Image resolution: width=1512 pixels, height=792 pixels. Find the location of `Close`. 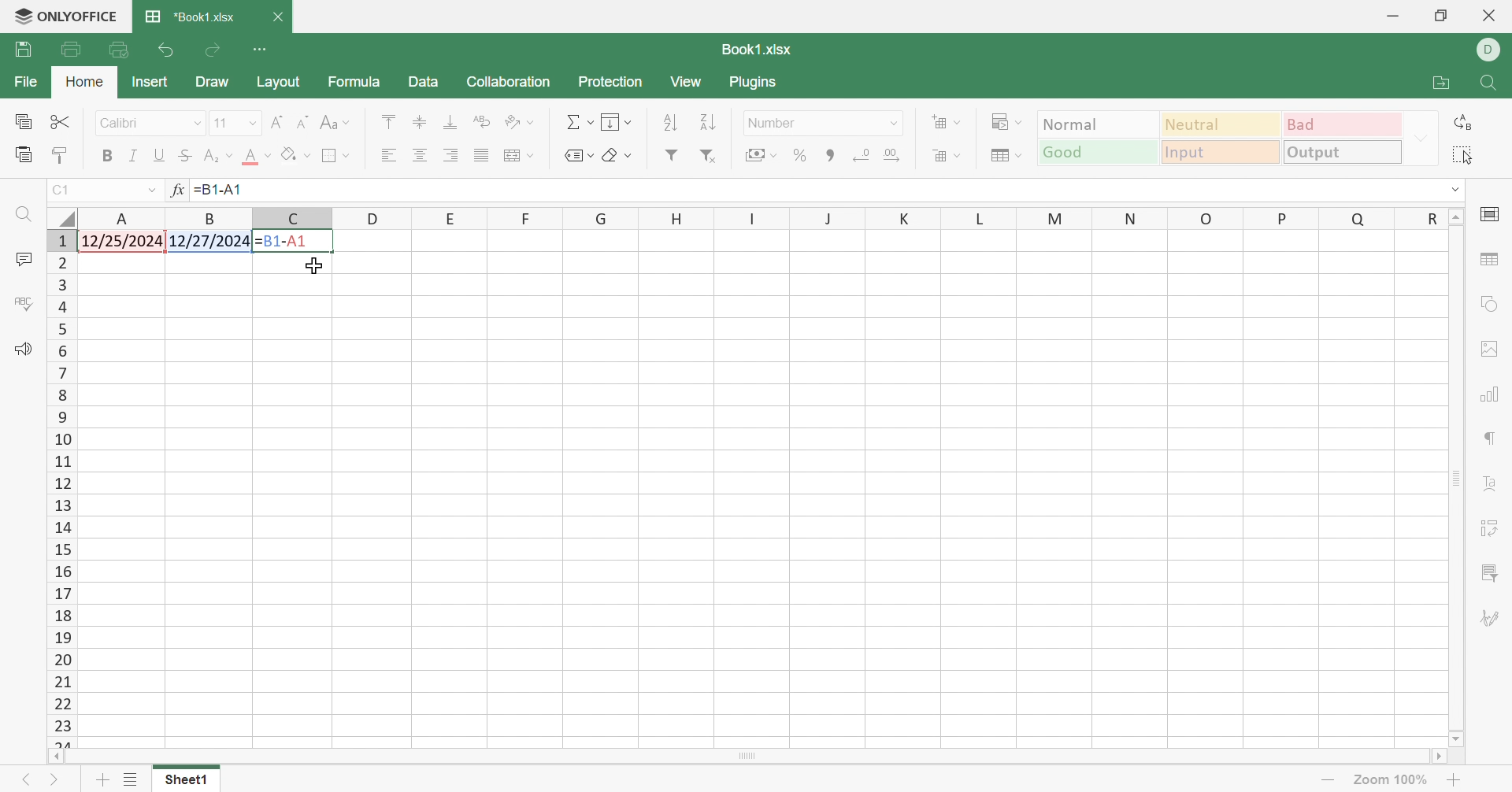

Close is located at coordinates (281, 16).